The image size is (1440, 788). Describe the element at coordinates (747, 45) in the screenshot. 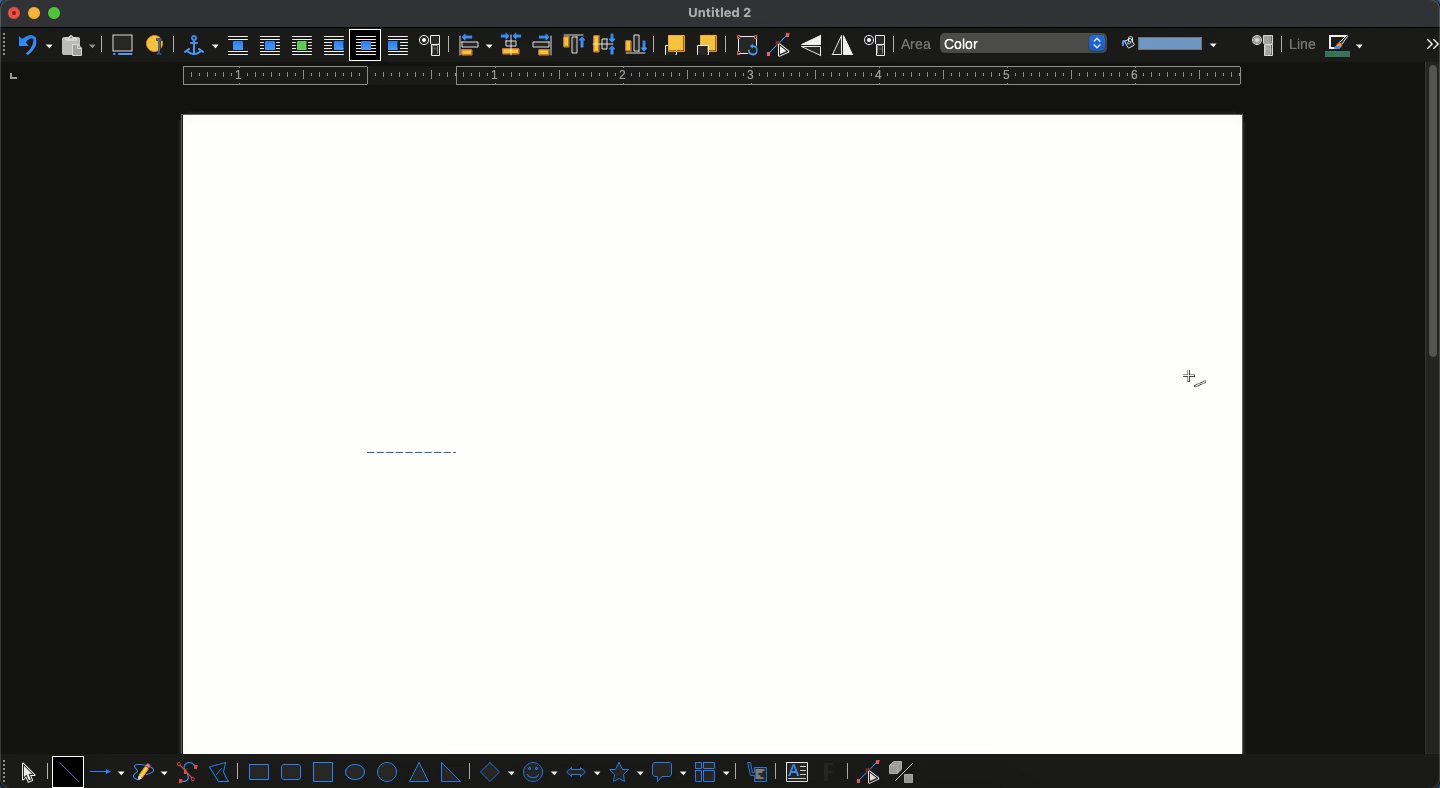

I see `rotate` at that location.